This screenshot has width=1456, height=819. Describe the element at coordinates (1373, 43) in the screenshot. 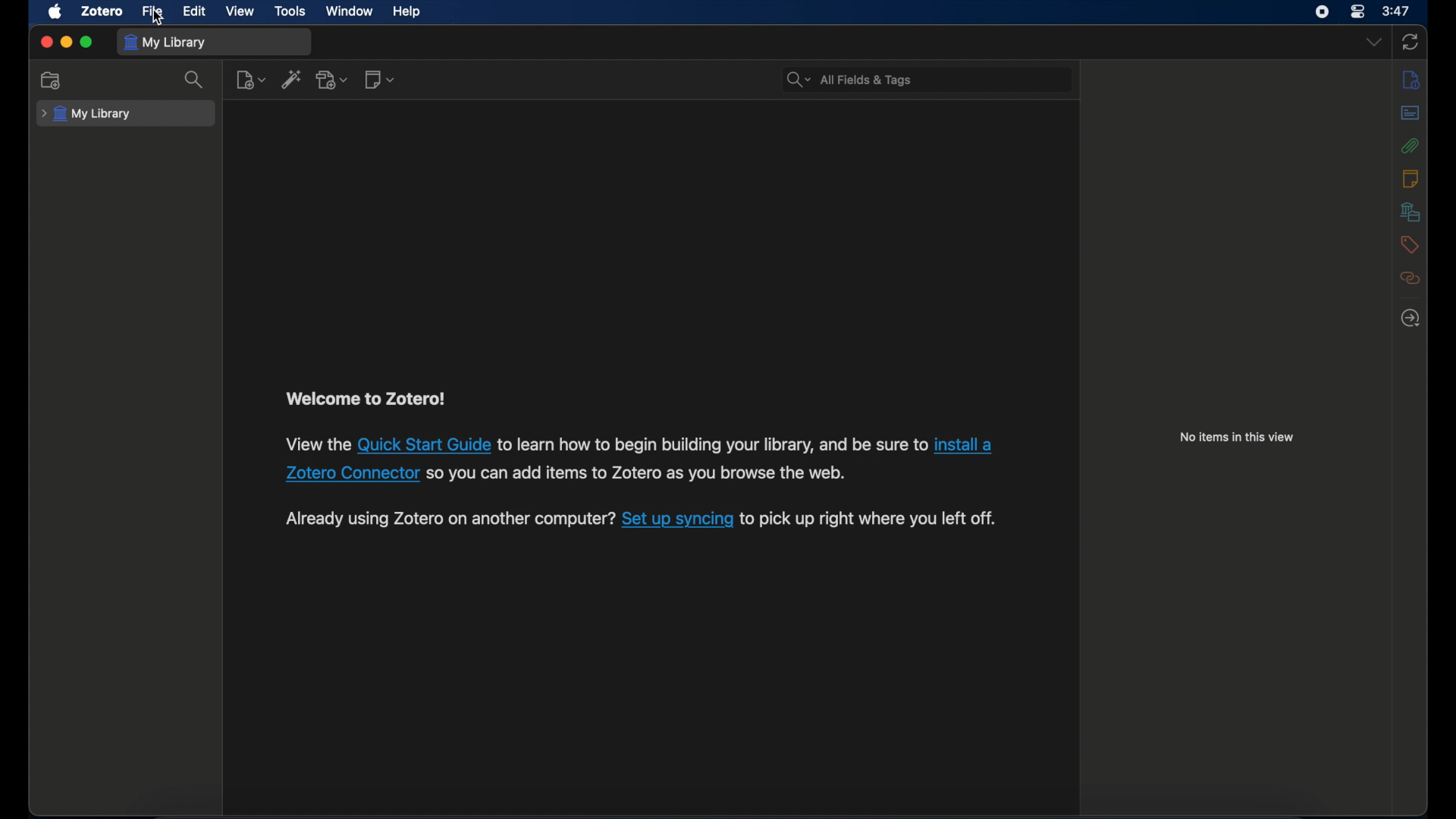

I see `dropdown` at that location.